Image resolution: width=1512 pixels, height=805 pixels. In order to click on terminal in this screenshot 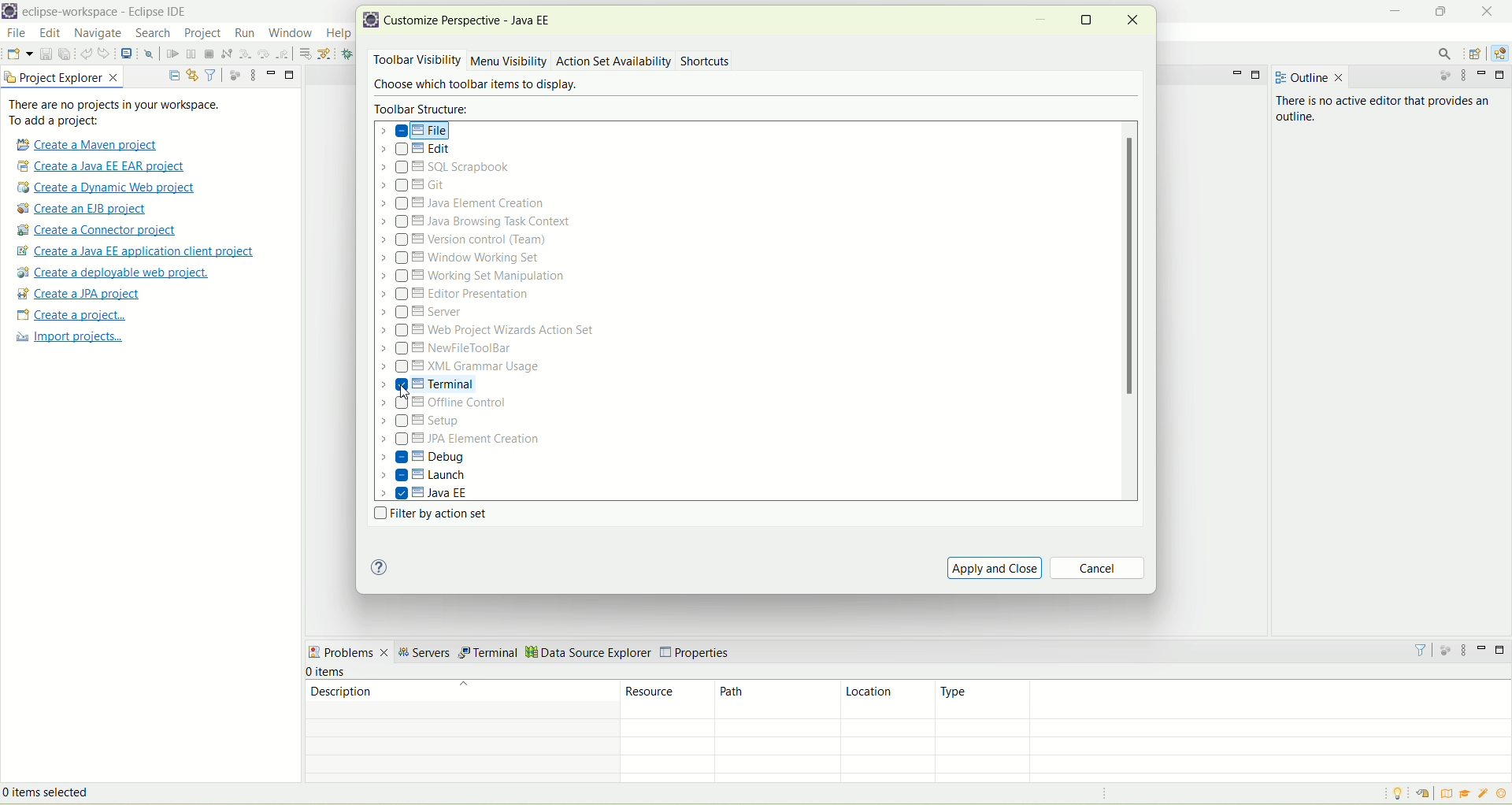, I will do `click(488, 653)`.